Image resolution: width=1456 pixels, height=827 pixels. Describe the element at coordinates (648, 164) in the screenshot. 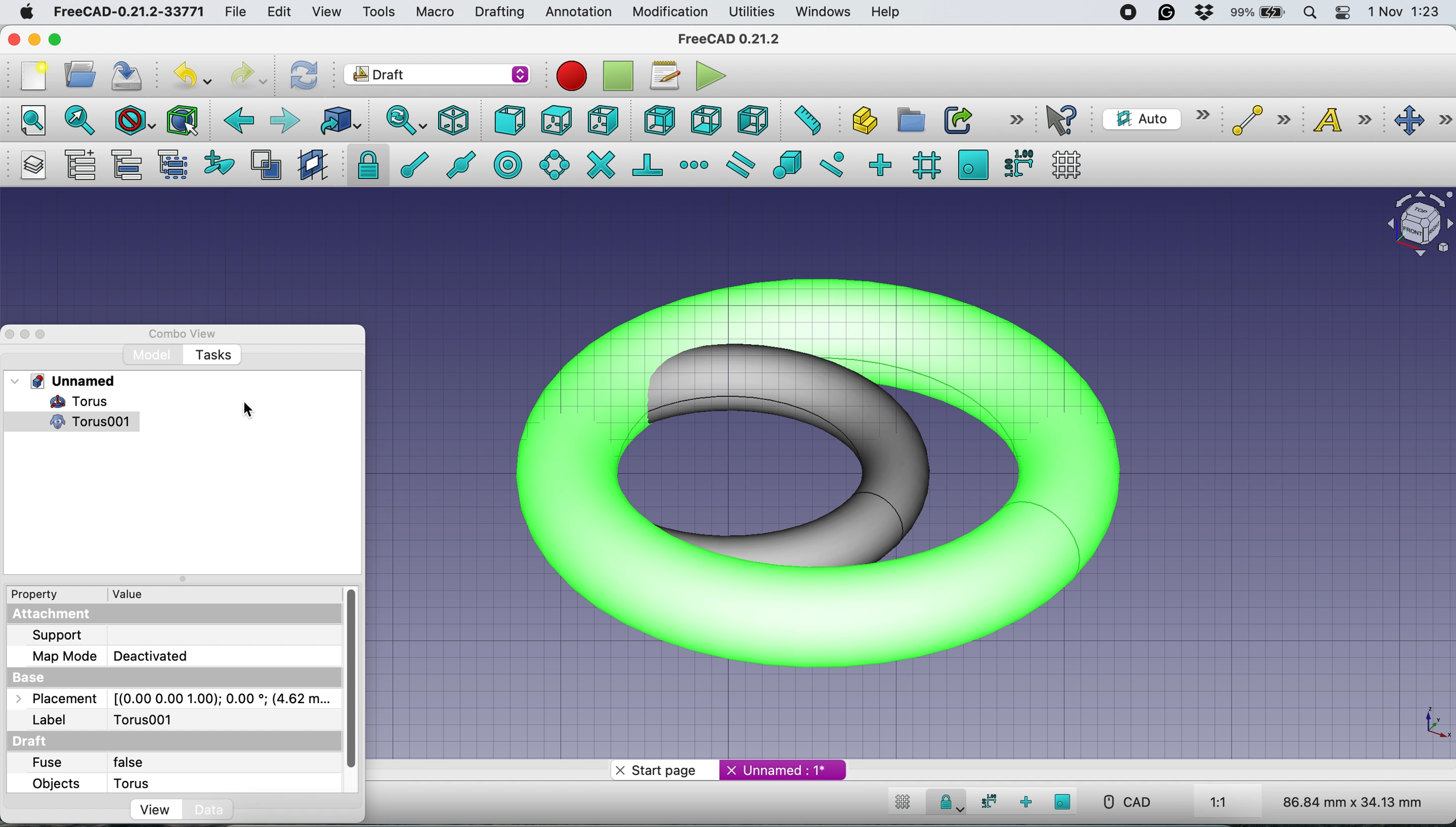

I see `snap perpendicular` at that location.